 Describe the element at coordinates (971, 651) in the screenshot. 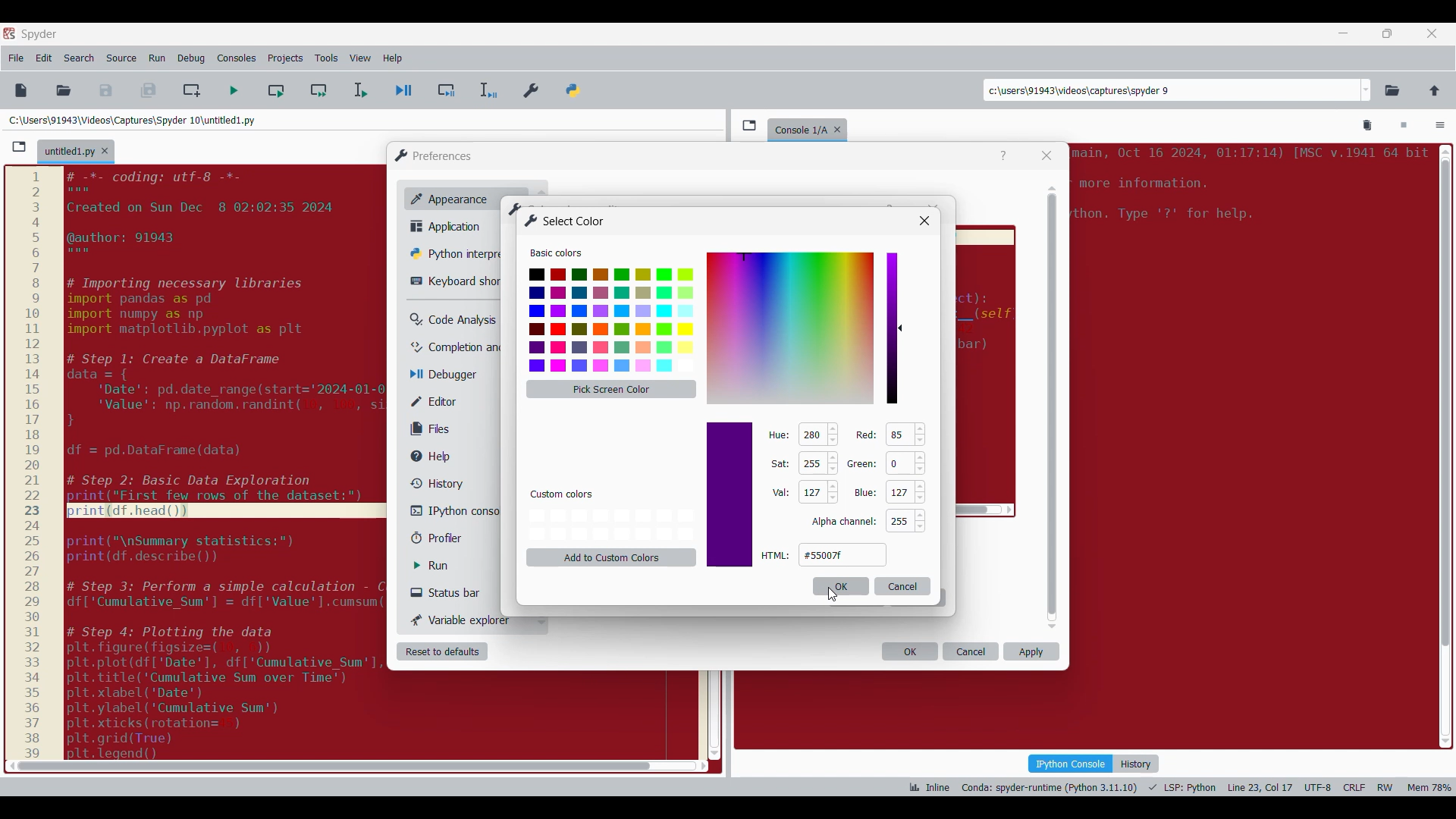

I see `Cancel` at that location.